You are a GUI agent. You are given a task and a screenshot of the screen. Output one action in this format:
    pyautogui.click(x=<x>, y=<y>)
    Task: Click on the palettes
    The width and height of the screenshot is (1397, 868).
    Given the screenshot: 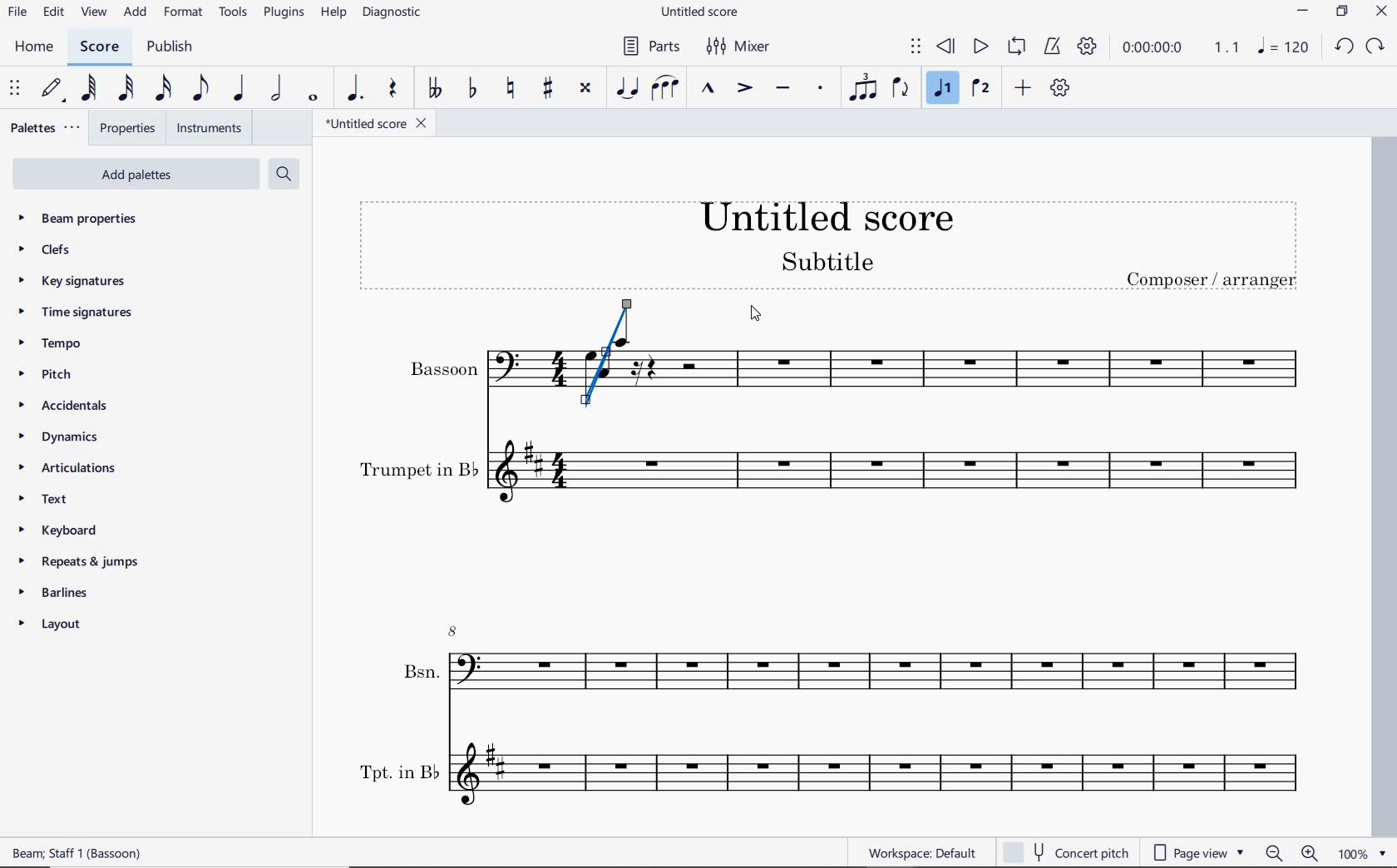 What is the action you would take?
    pyautogui.click(x=44, y=128)
    